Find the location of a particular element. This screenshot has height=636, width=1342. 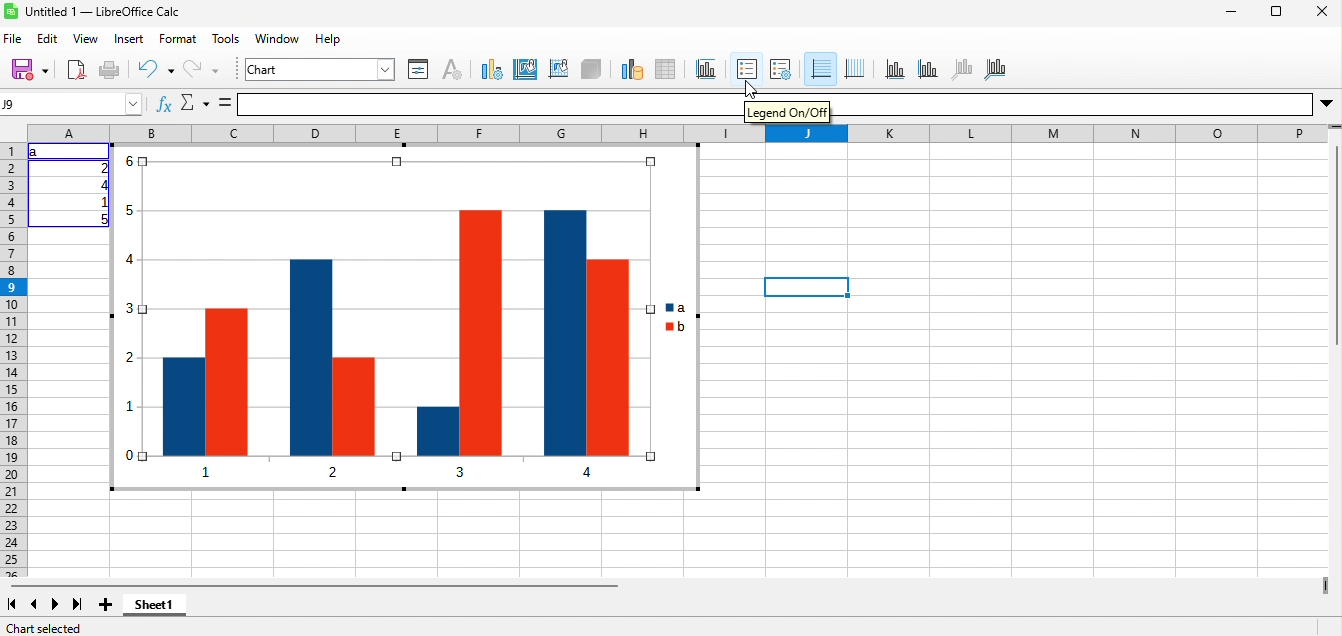

file is located at coordinates (14, 40).